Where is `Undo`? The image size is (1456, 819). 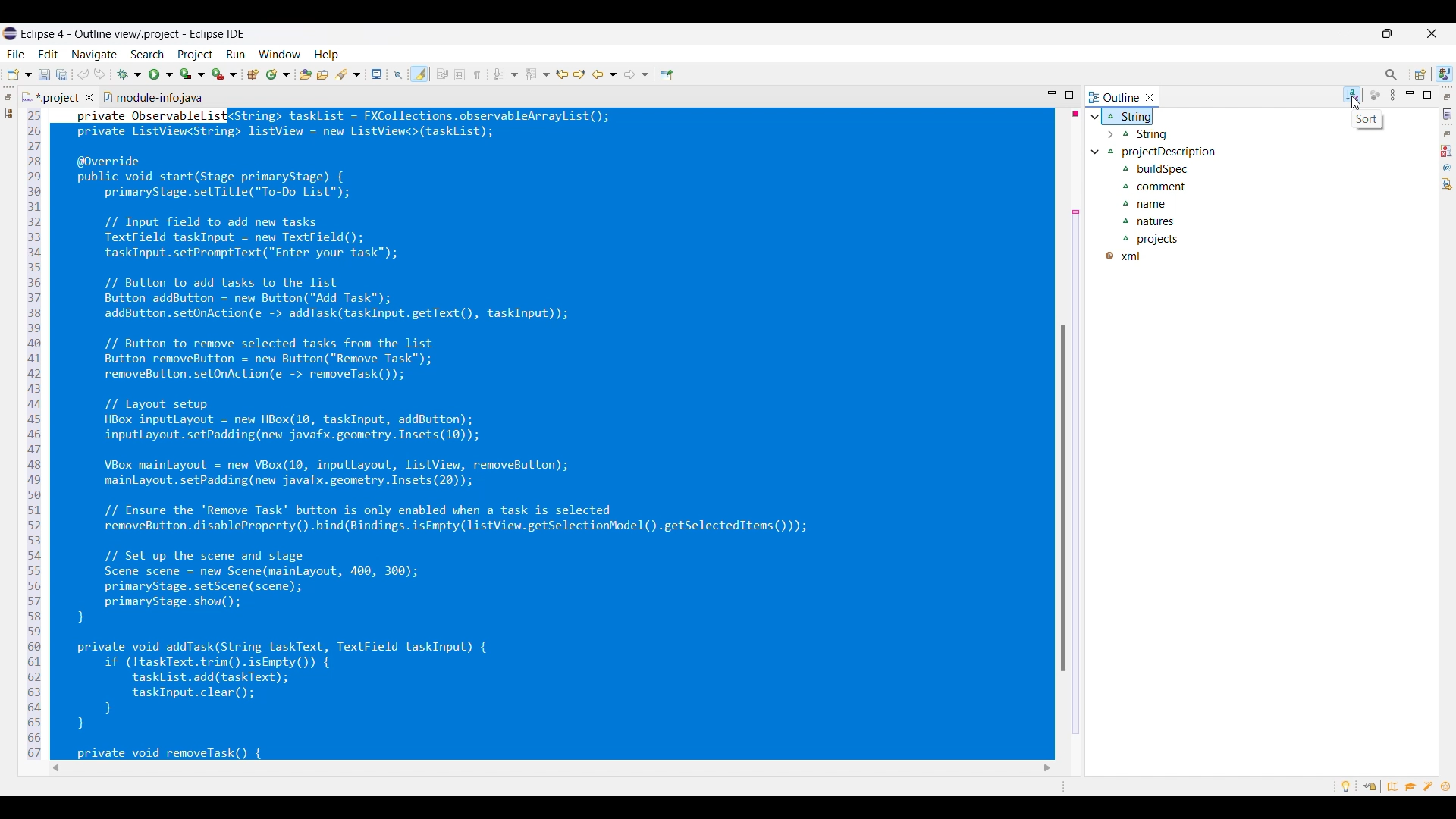
Undo is located at coordinates (83, 74).